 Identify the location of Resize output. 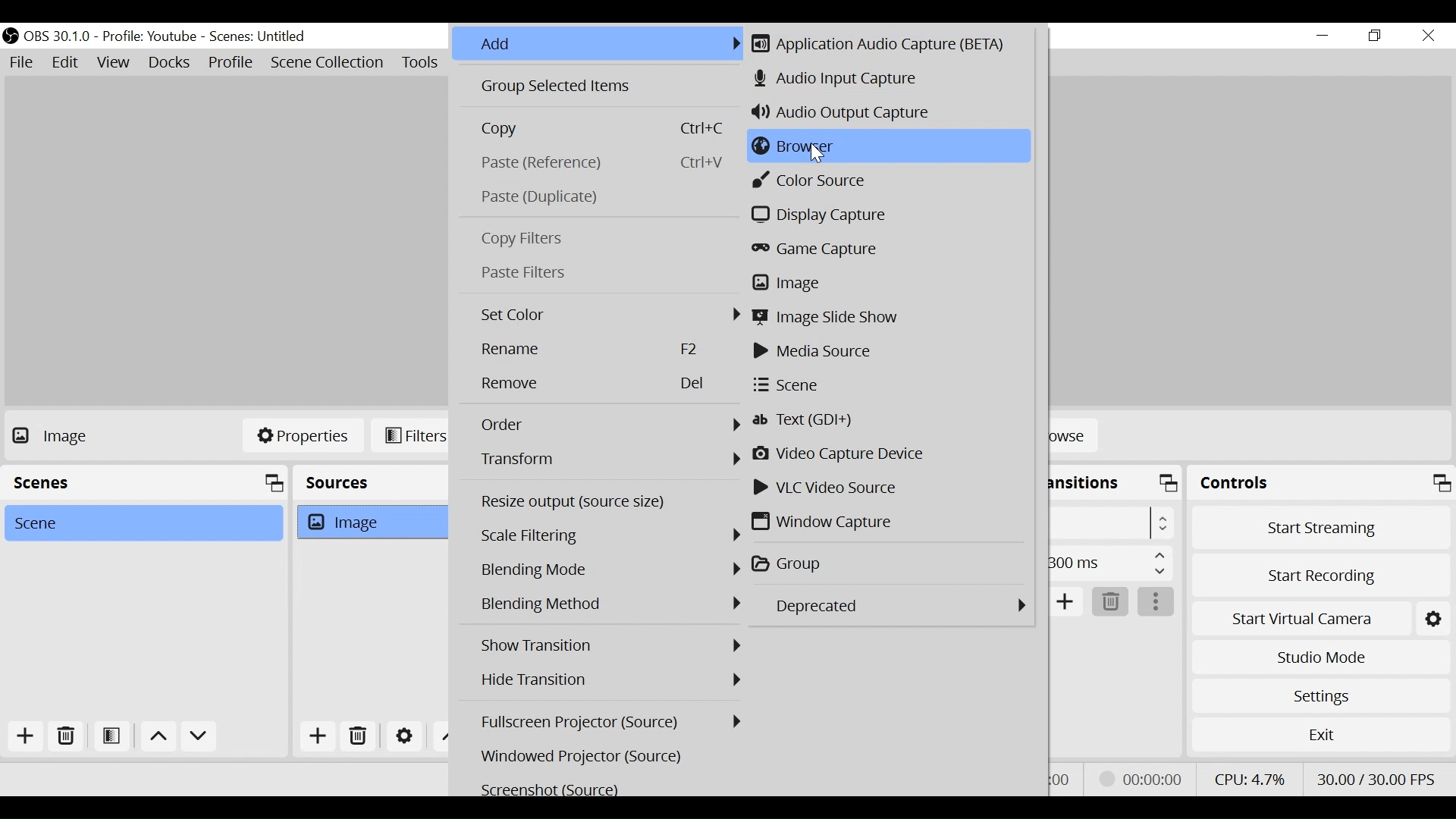
(611, 503).